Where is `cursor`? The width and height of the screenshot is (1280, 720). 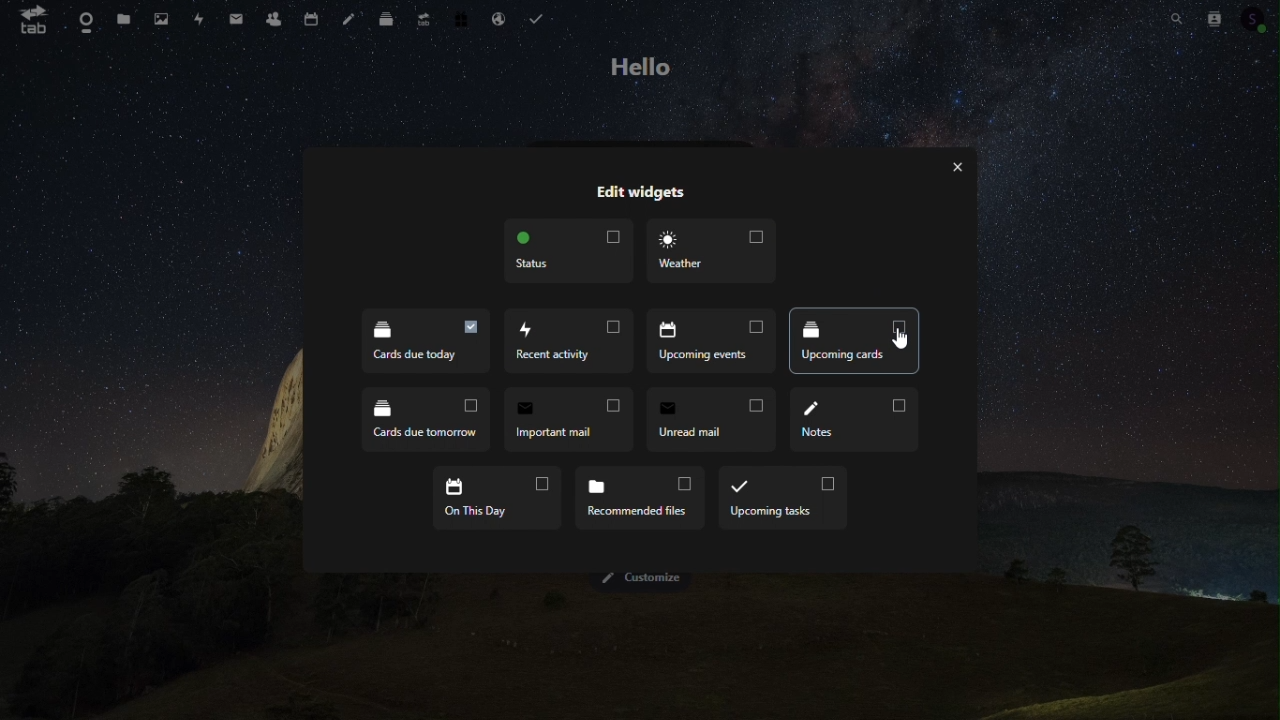 cursor is located at coordinates (900, 342).